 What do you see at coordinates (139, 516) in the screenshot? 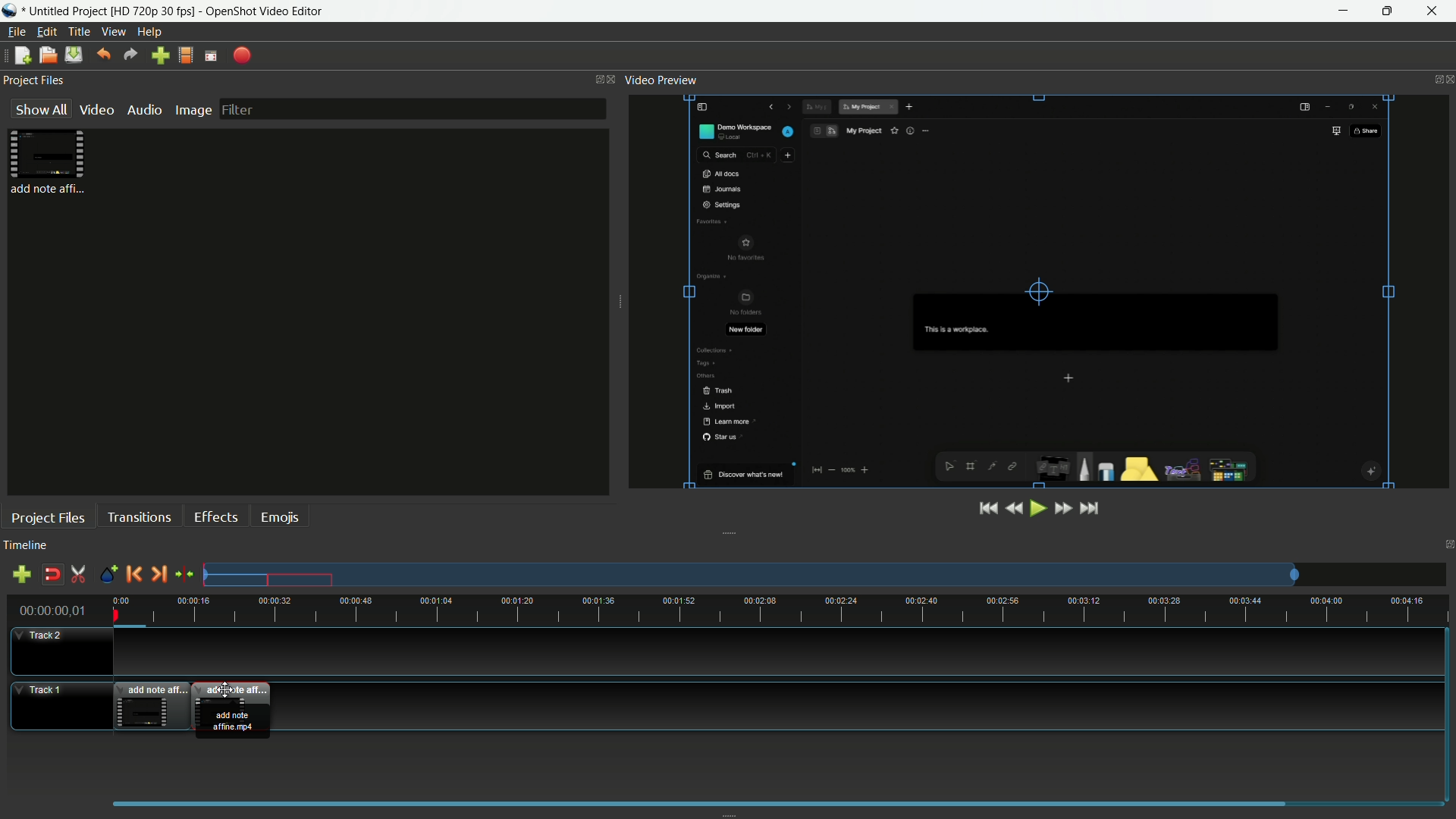
I see `transactions` at bounding box center [139, 516].